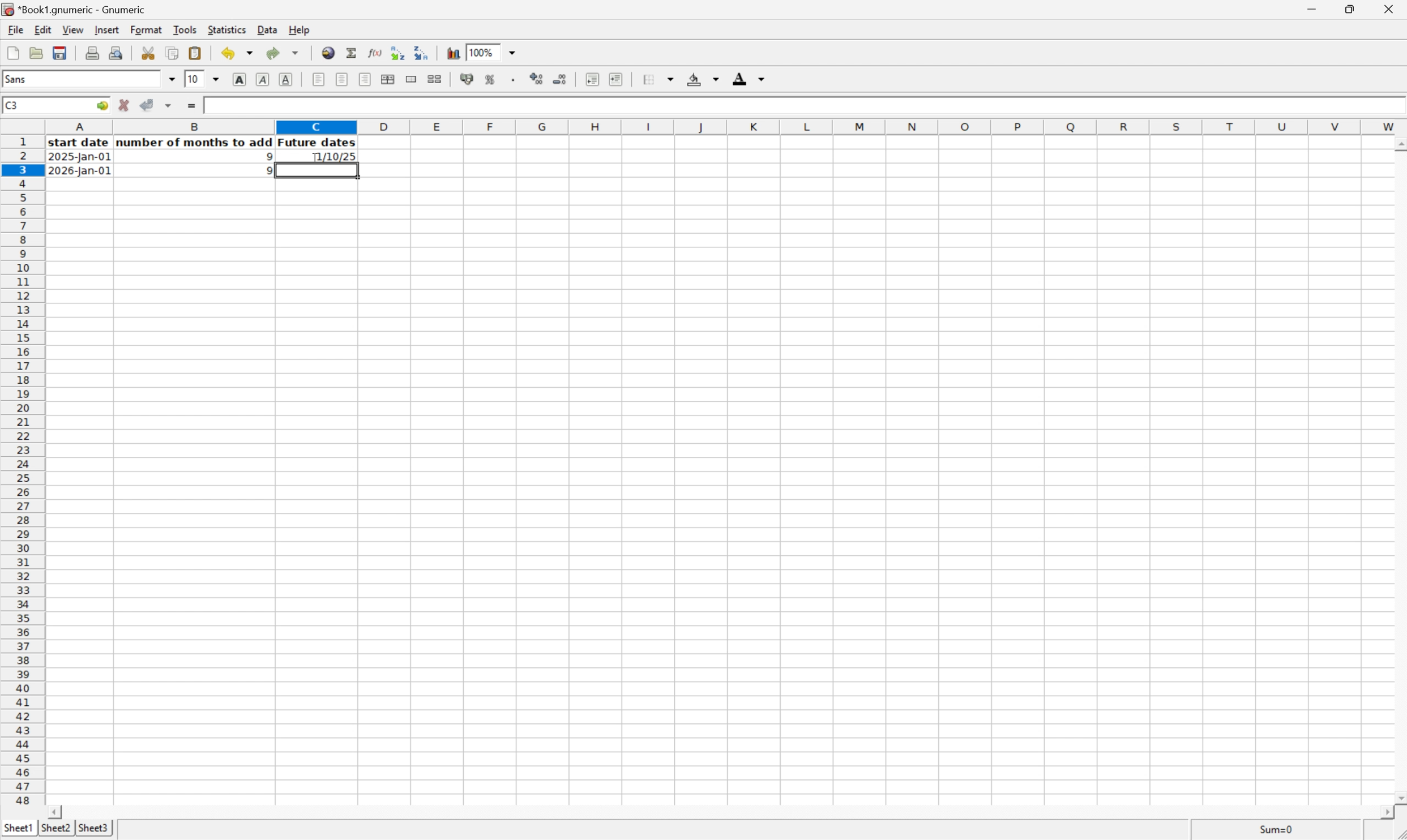  I want to click on Sum in current cell, so click(352, 52).